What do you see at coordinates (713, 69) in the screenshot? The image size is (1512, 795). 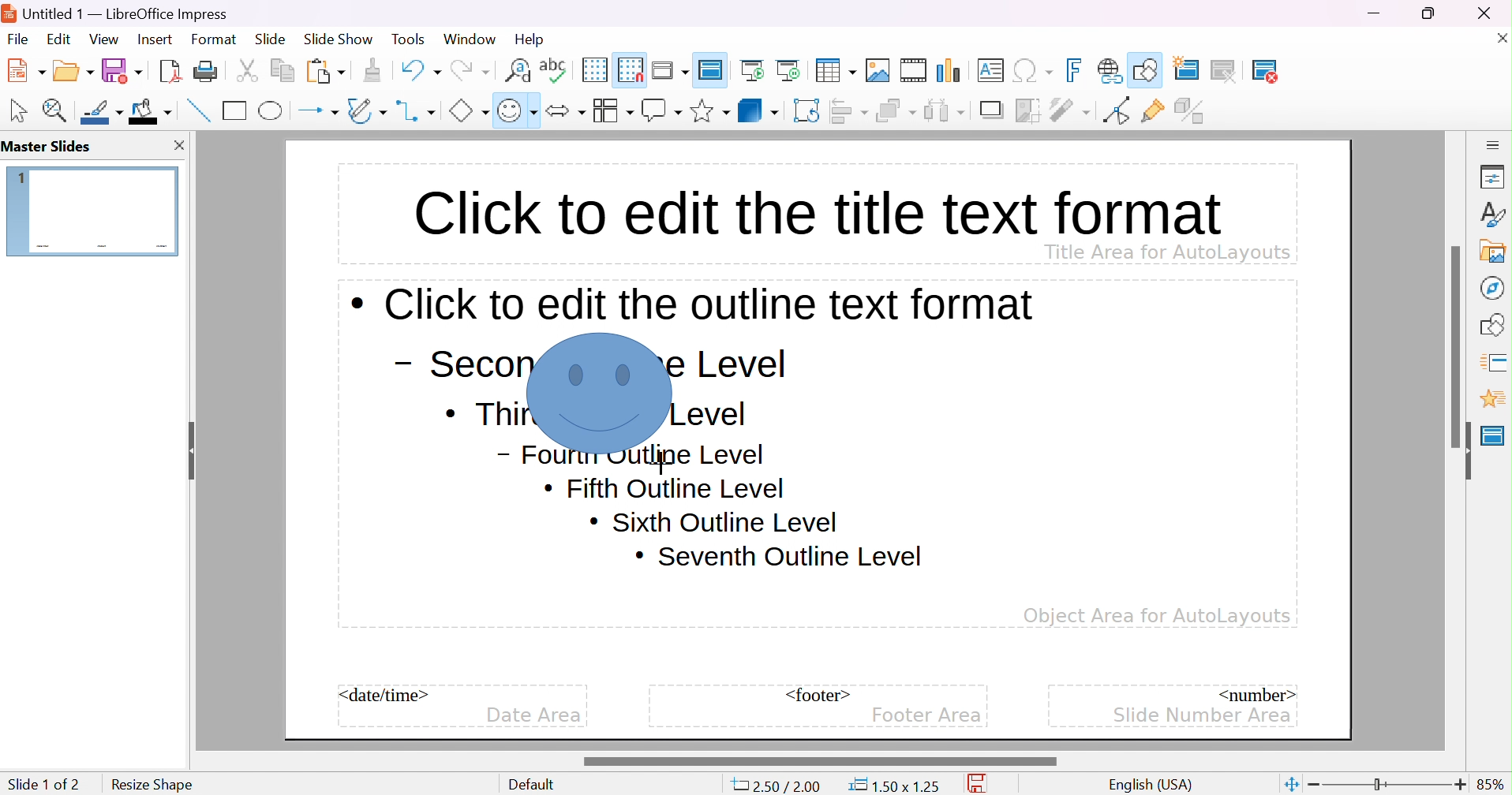 I see `master slide` at bounding box center [713, 69].